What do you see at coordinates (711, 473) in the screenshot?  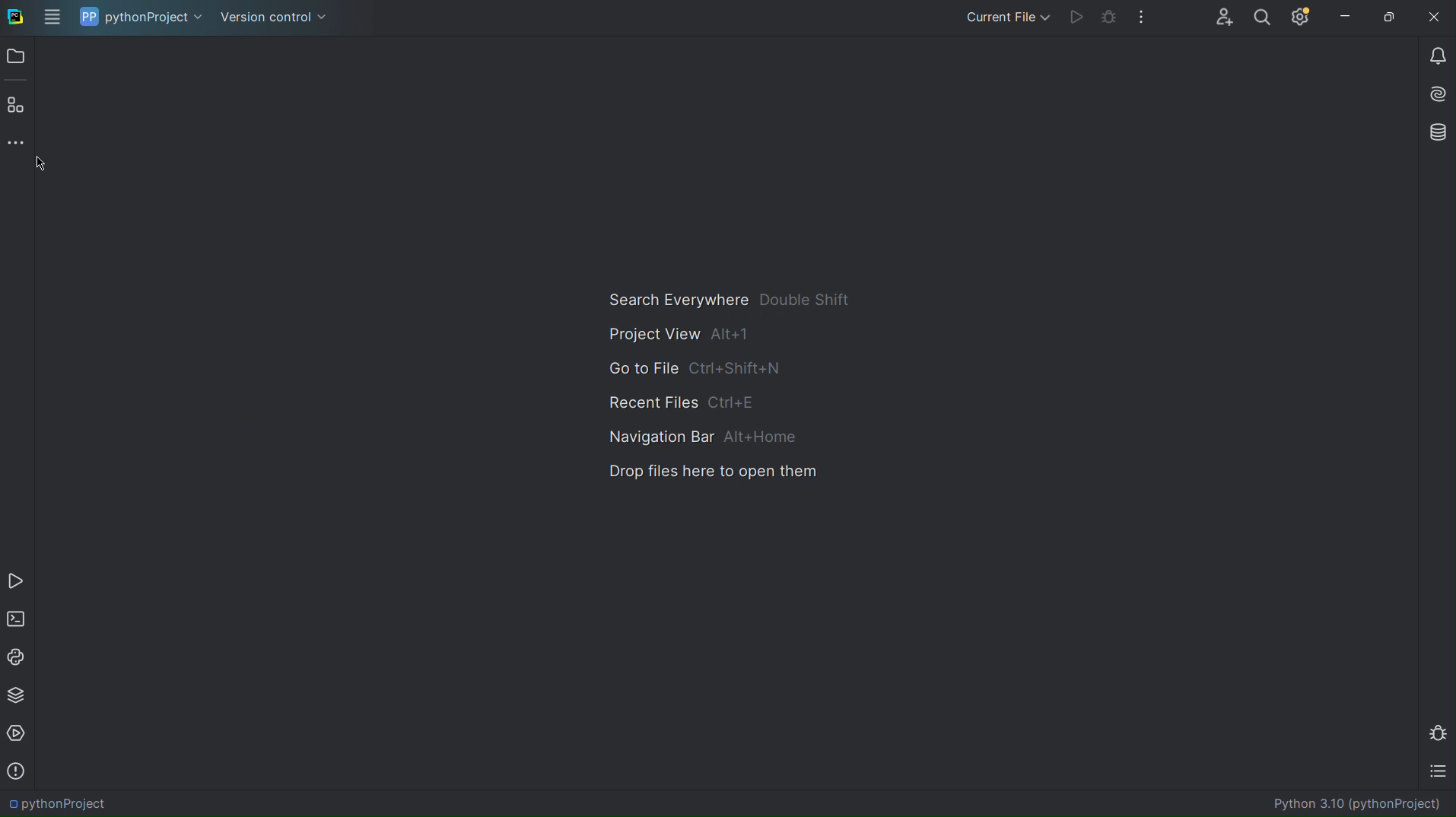 I see `Drop files here to open them` at bounding box center [711, 473].